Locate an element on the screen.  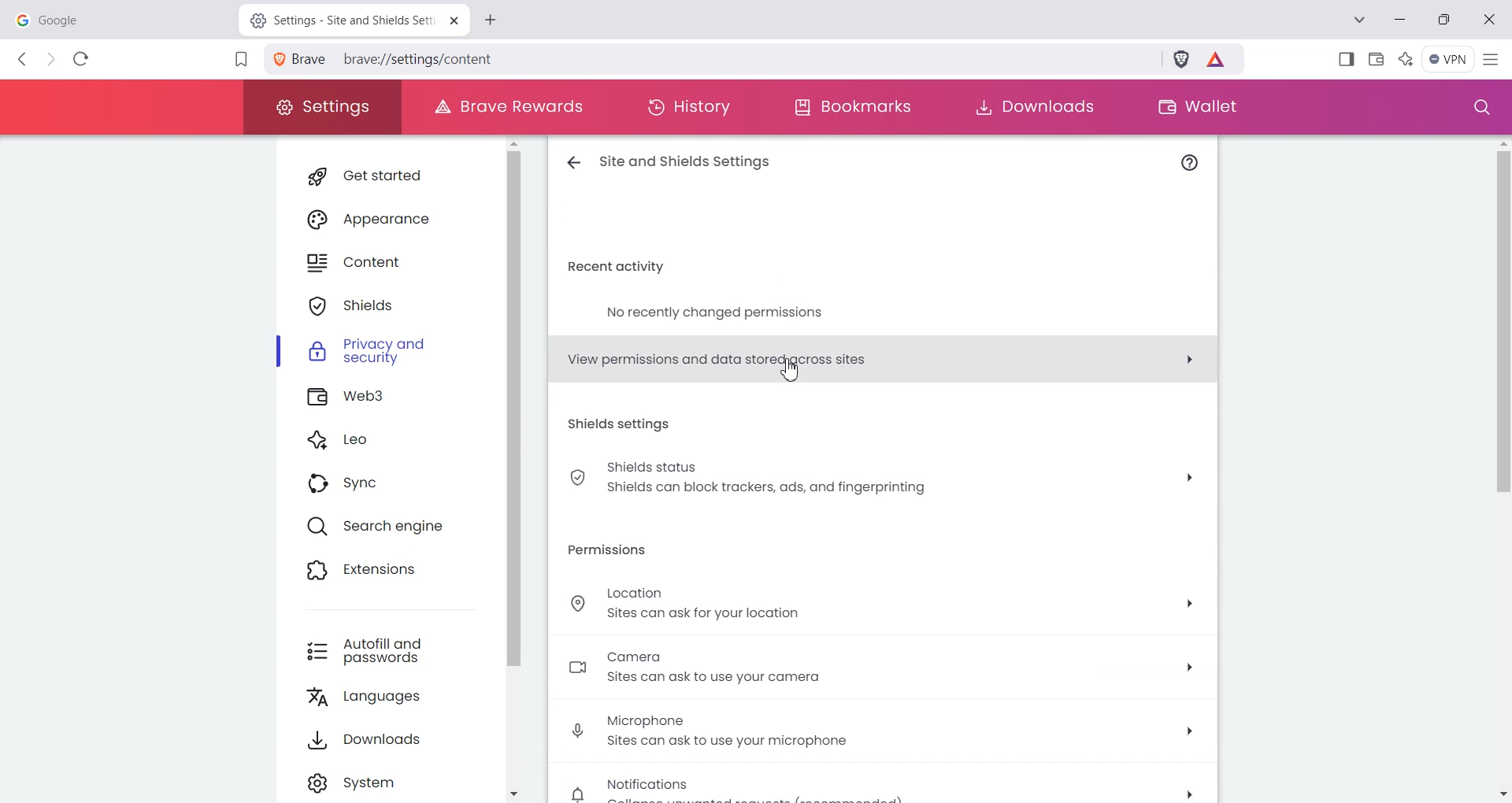
Hamburger Settings is located at coordinates (1494, 58).